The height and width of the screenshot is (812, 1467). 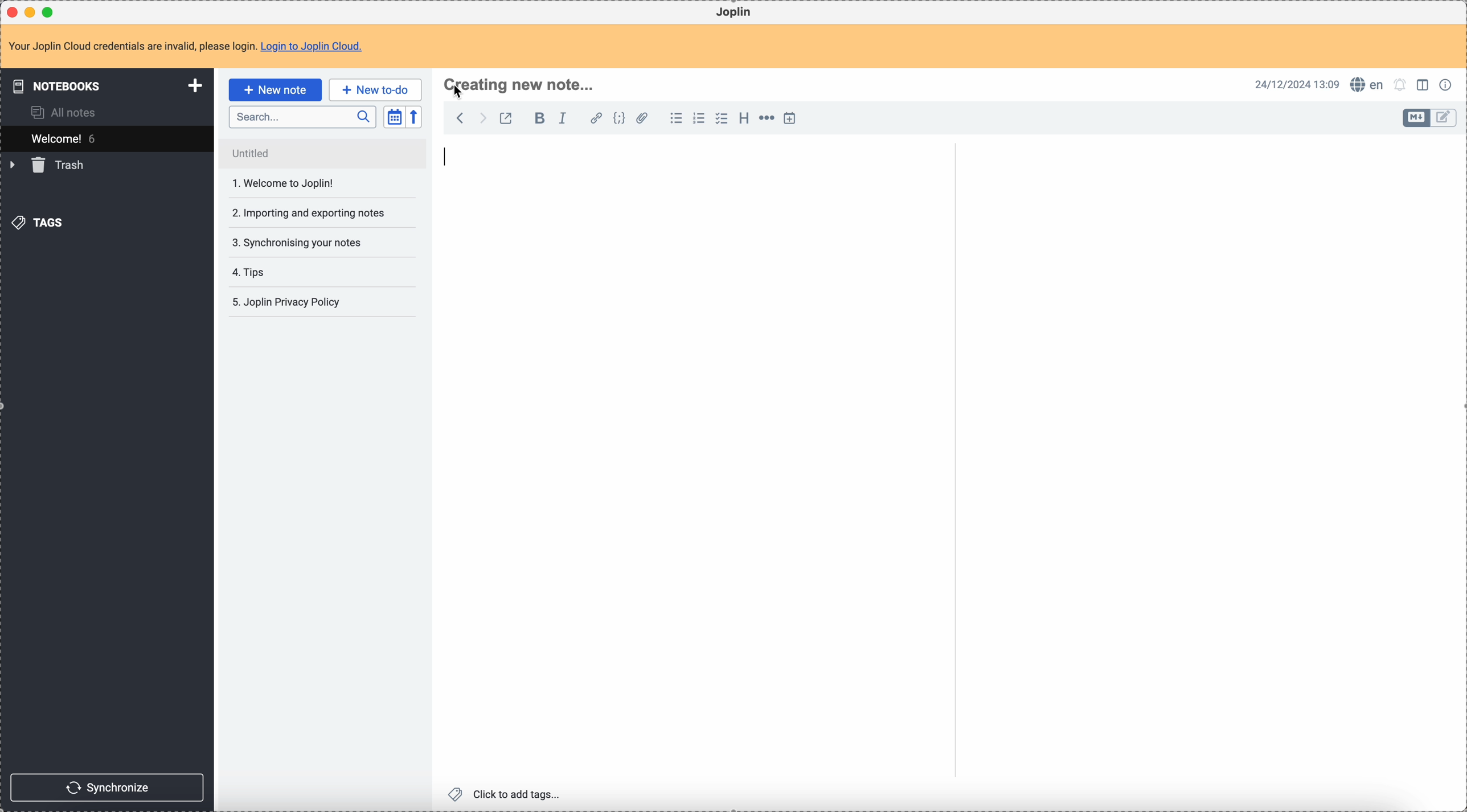 What do you see at coordinates (674, 118) in the screenshot?
I see `bulleted list` at bounding box center [674, 118].